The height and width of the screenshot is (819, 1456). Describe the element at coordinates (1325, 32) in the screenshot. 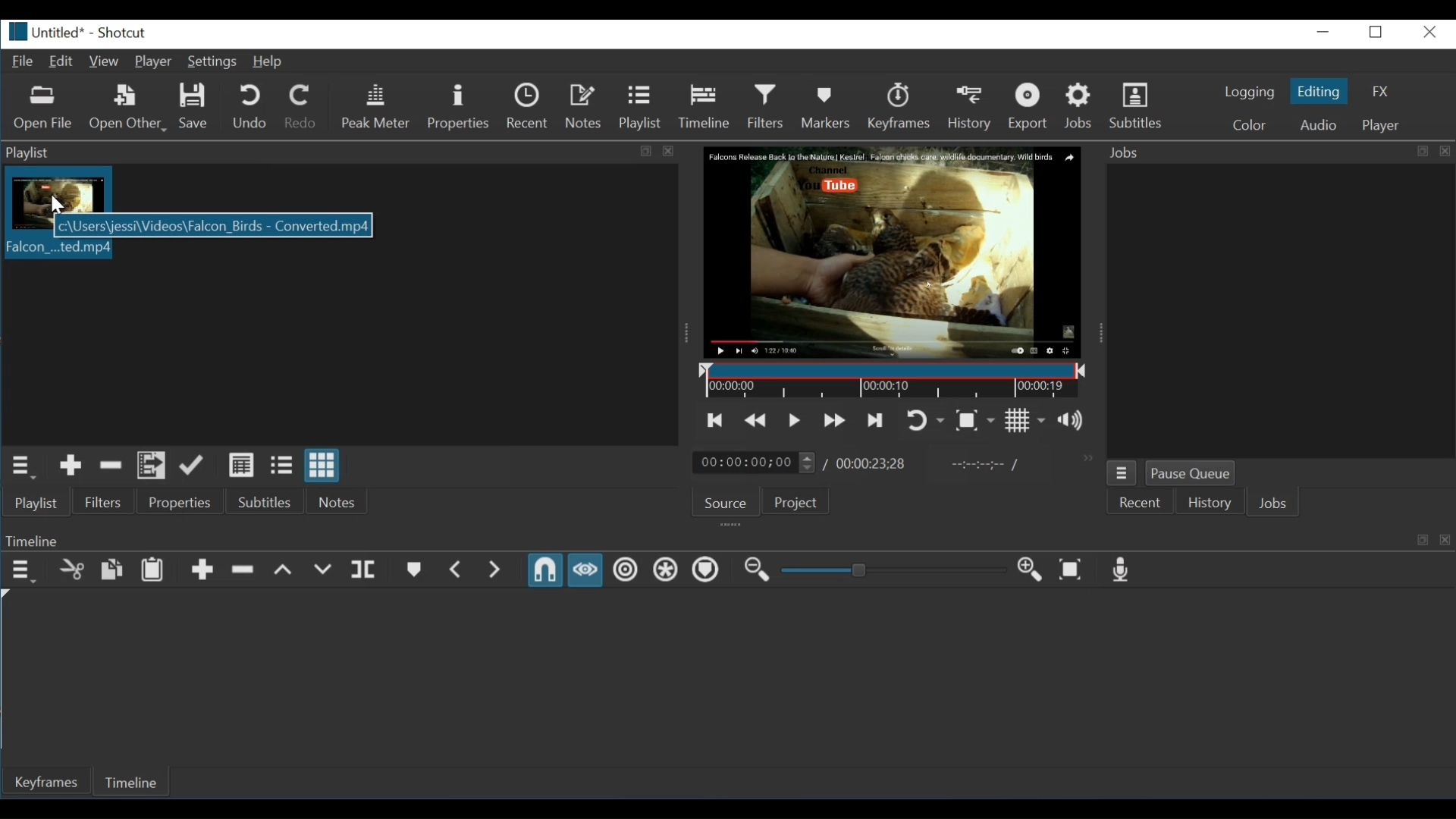

I see `Minimize` at that location.